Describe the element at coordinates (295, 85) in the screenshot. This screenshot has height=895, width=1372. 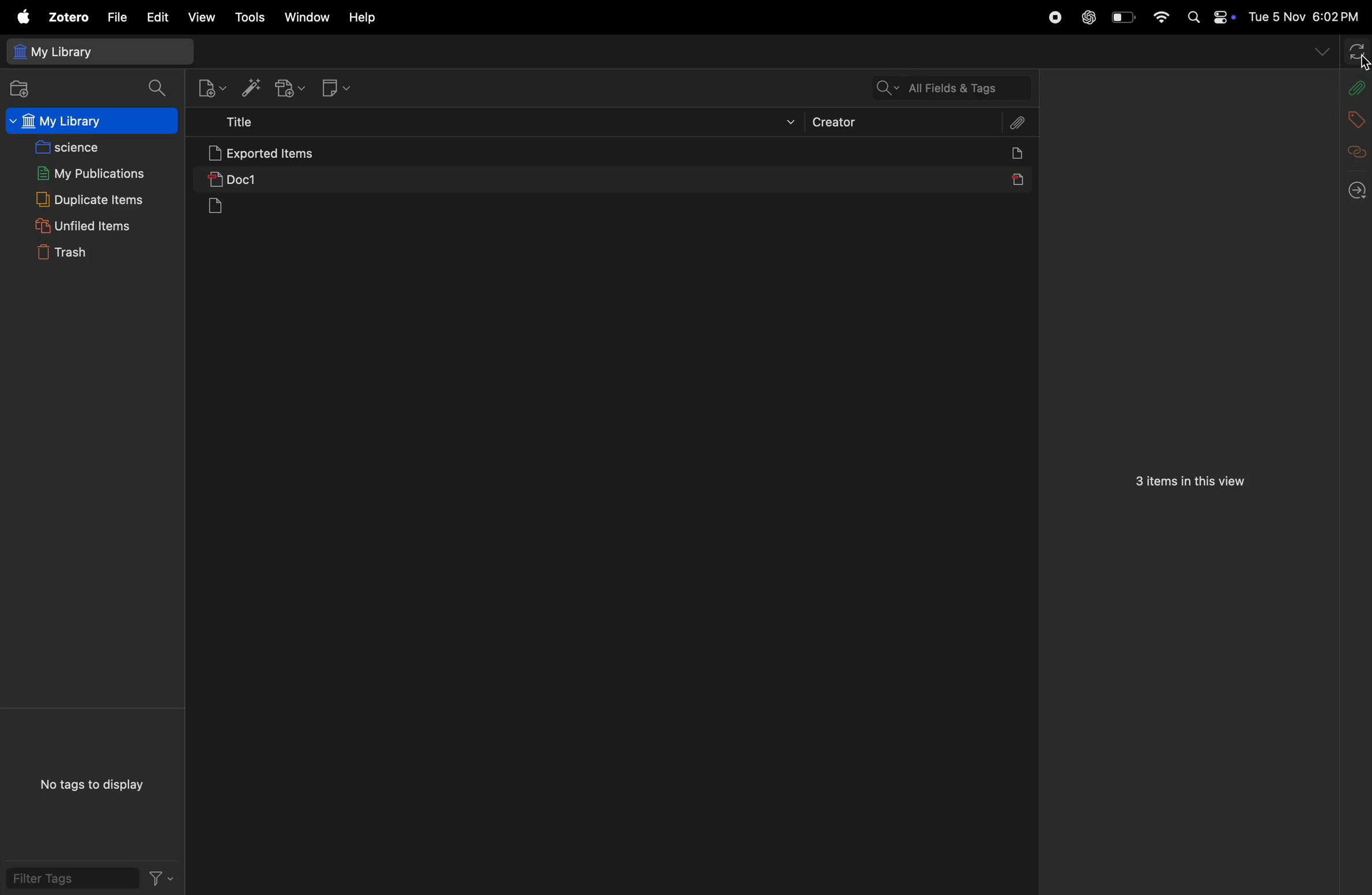
I see `add attachments` at that location.